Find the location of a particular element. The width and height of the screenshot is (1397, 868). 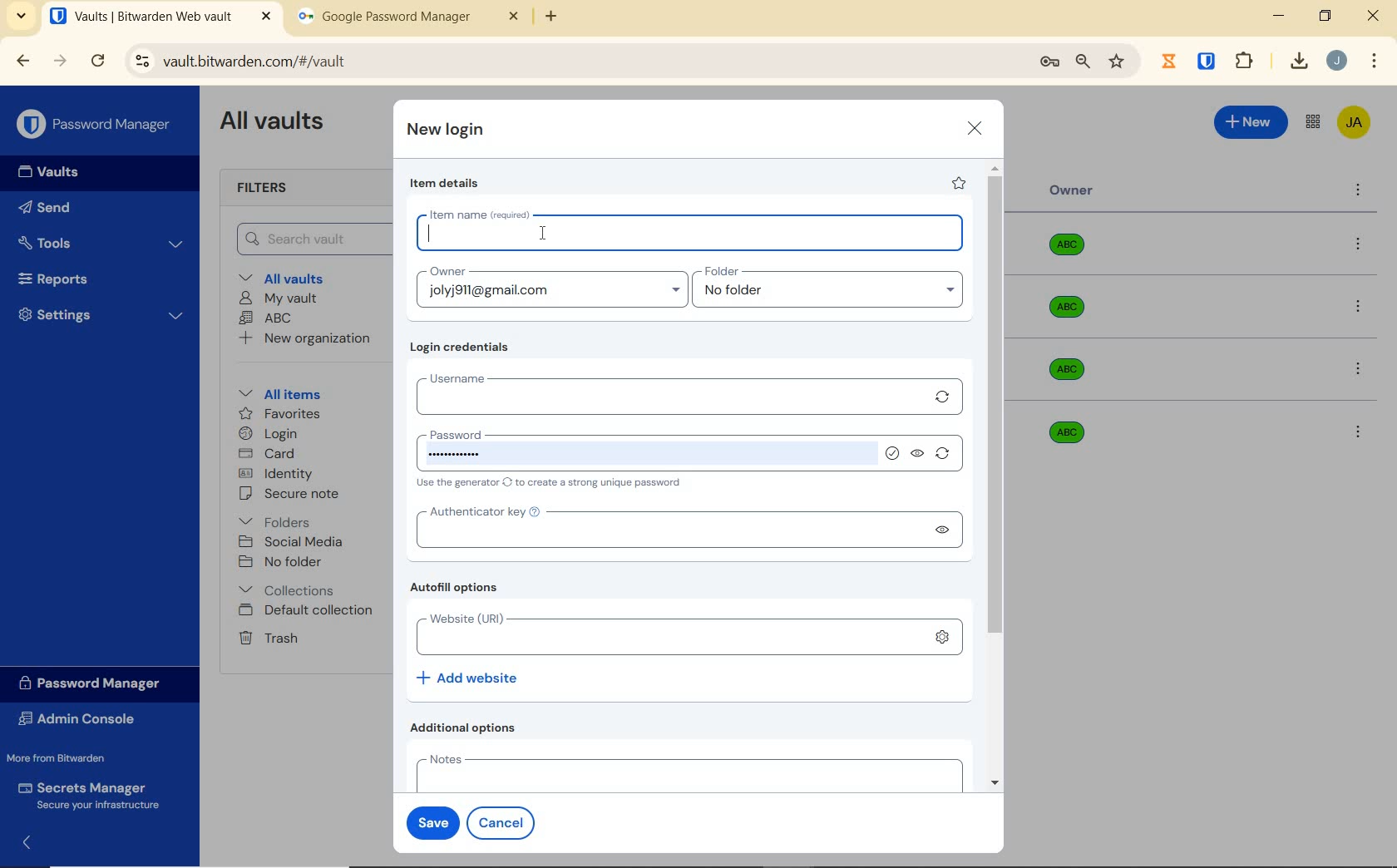

Folder is located at coordinates (822, 272).